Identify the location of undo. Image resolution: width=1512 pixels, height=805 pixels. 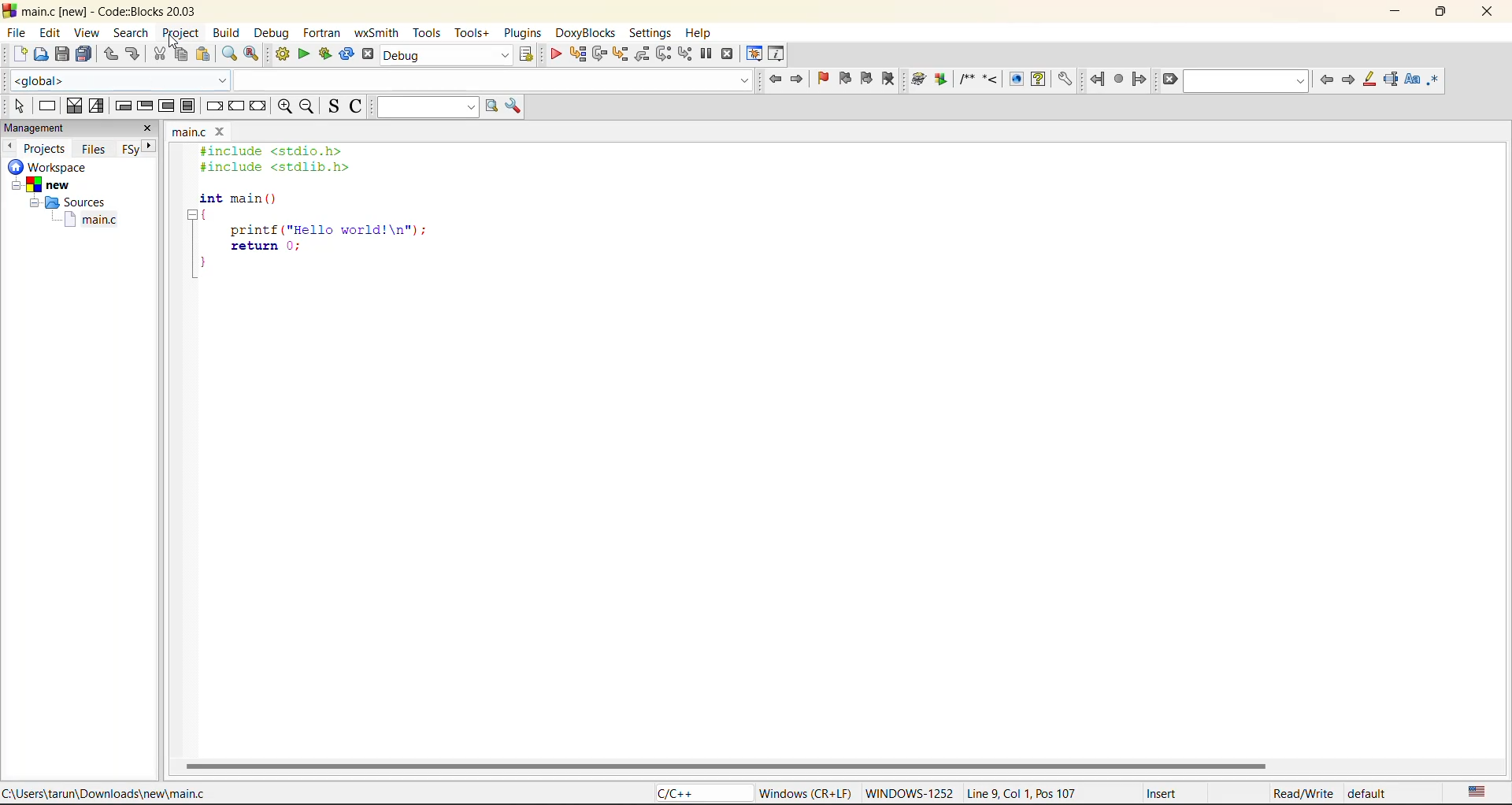
(112, 56).